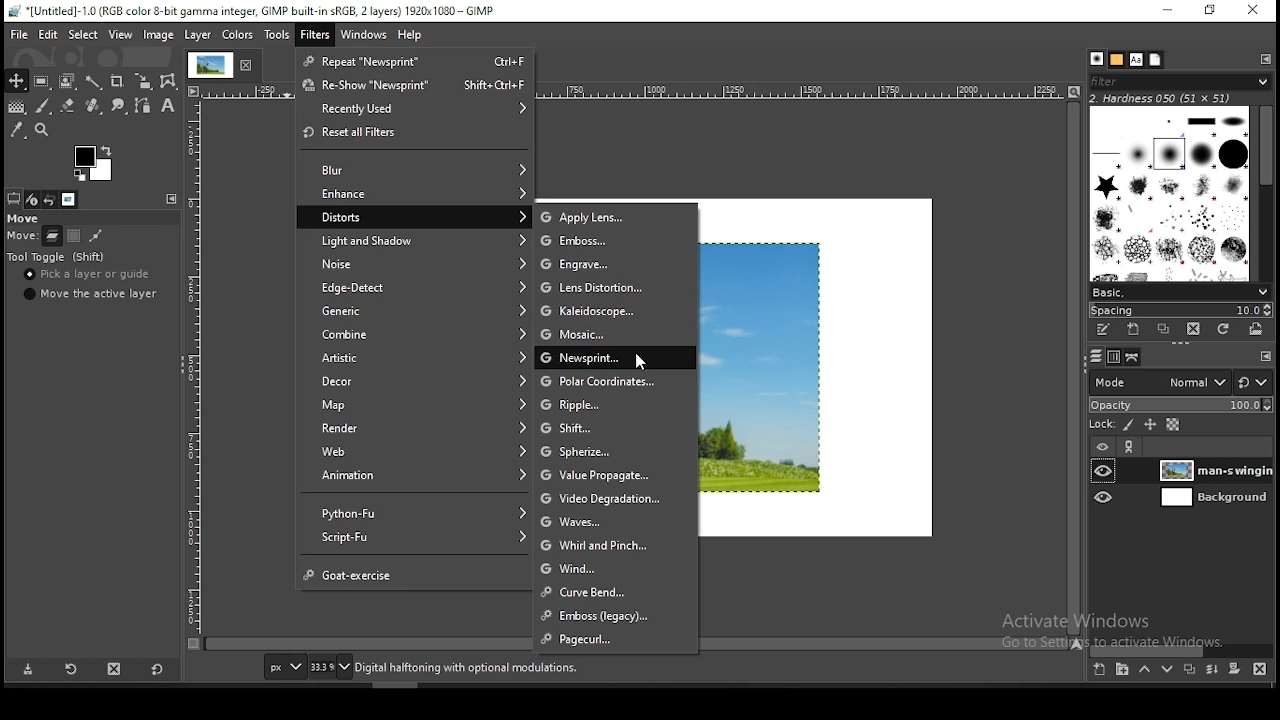 This screenshot has height=720, width=1280. What do you see at coordinates (1076, 368) in the screenshot?
I see `scroll bar` at bounding box center [1076, 368].